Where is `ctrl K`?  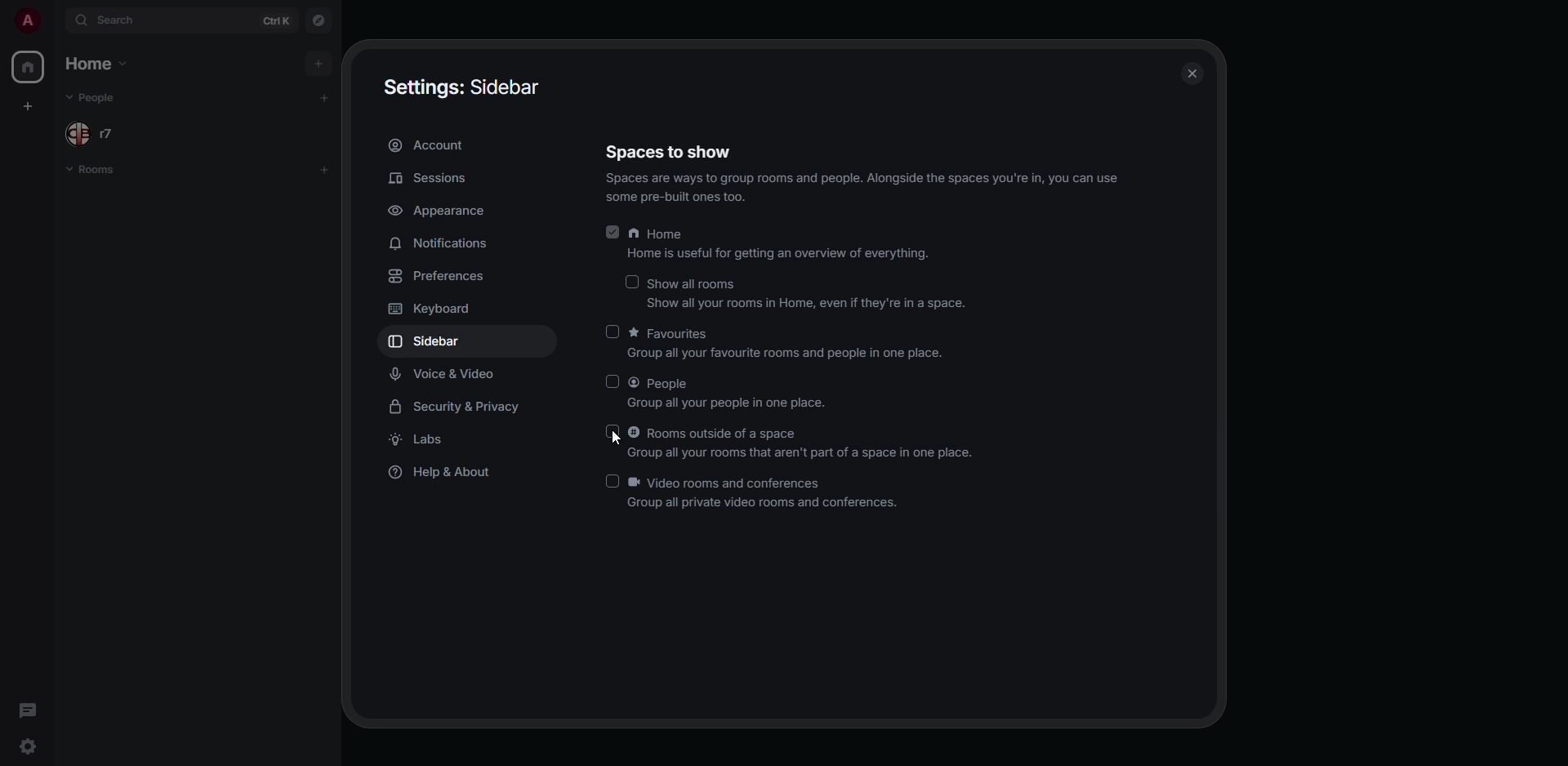 ctrl K is located at coordinates (275, 20).